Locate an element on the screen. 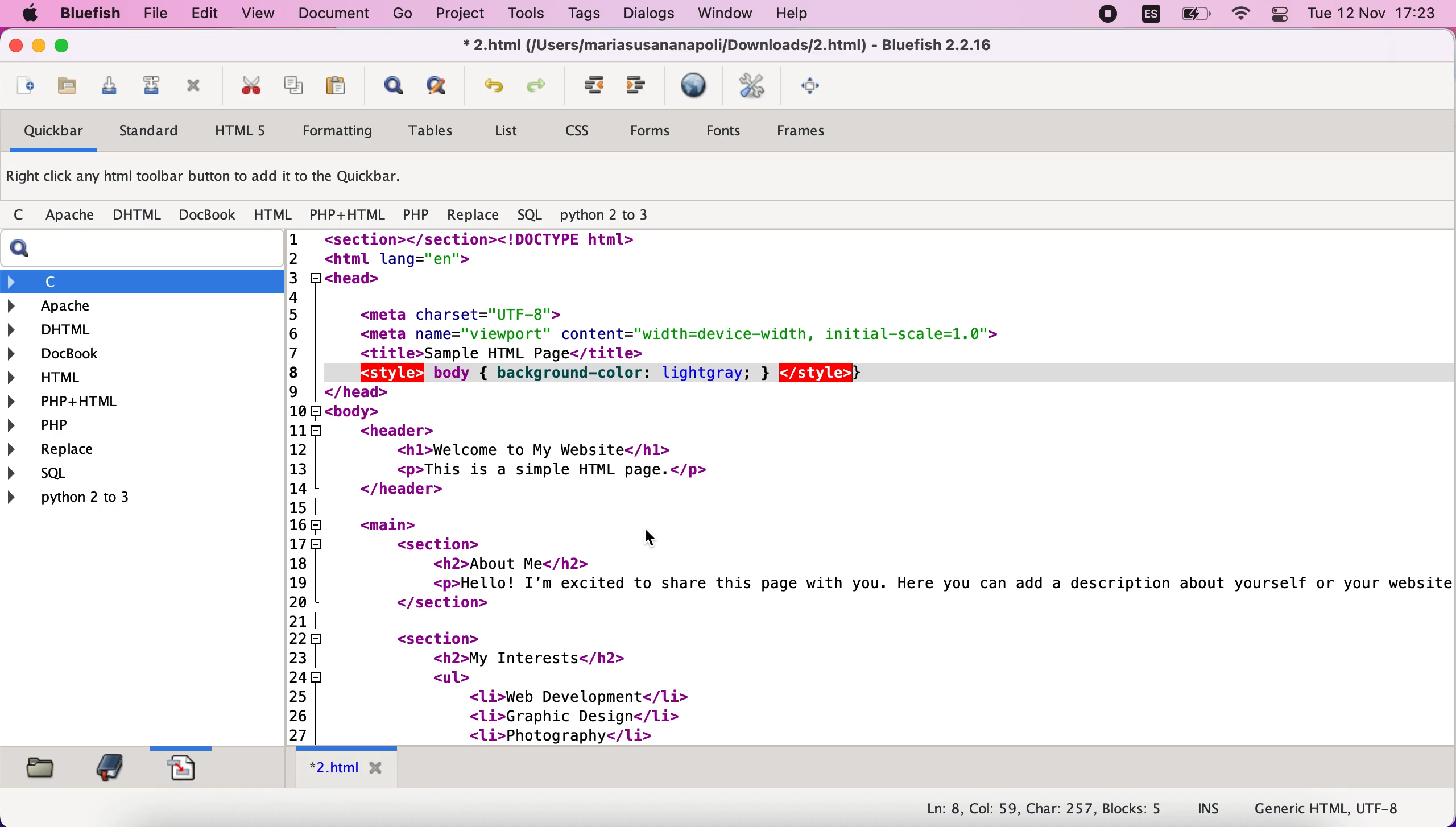  wifi is located at coordinates (1242, 16).